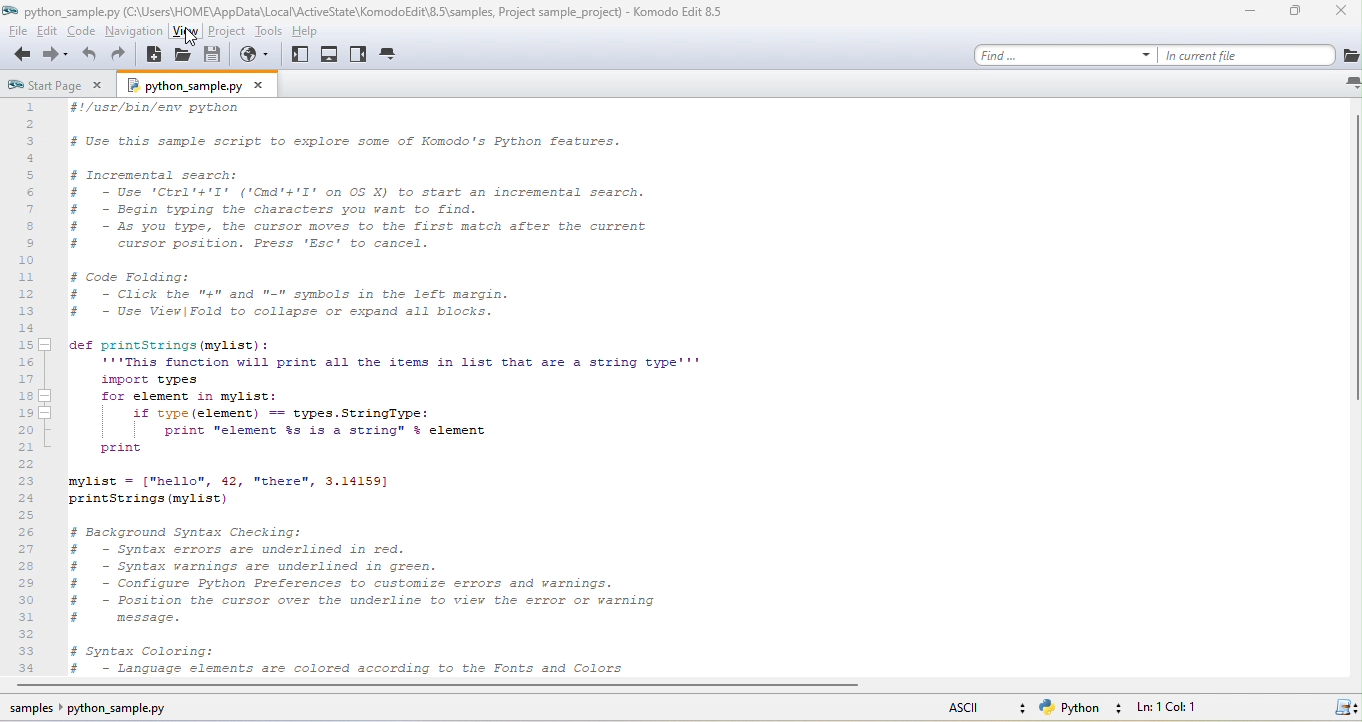 The image size is (1362, 722). I want to click on sample python, so click(86, 711).